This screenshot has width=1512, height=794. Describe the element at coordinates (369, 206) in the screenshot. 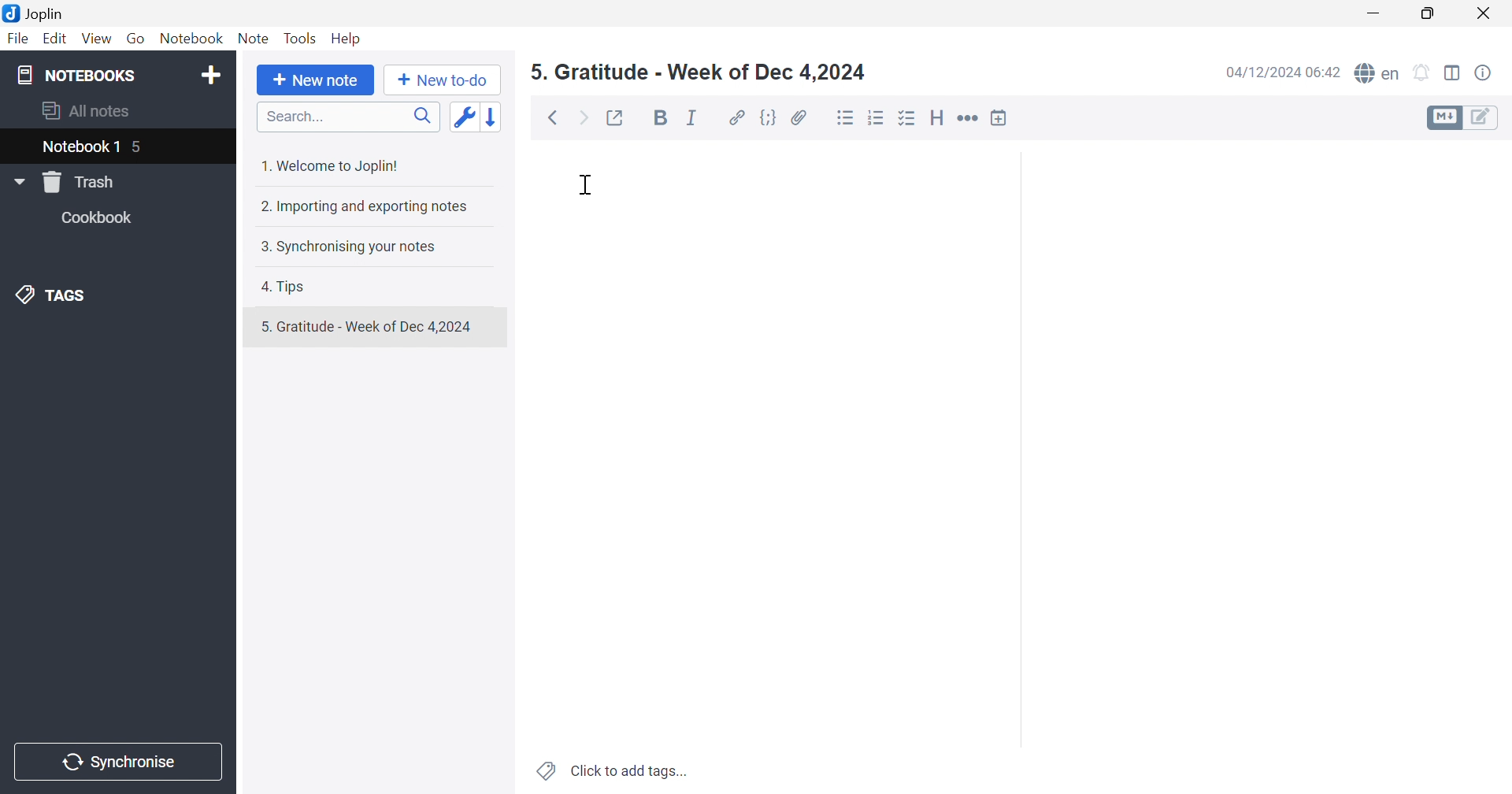

I see `2. Importing and exporting notes` at that location.